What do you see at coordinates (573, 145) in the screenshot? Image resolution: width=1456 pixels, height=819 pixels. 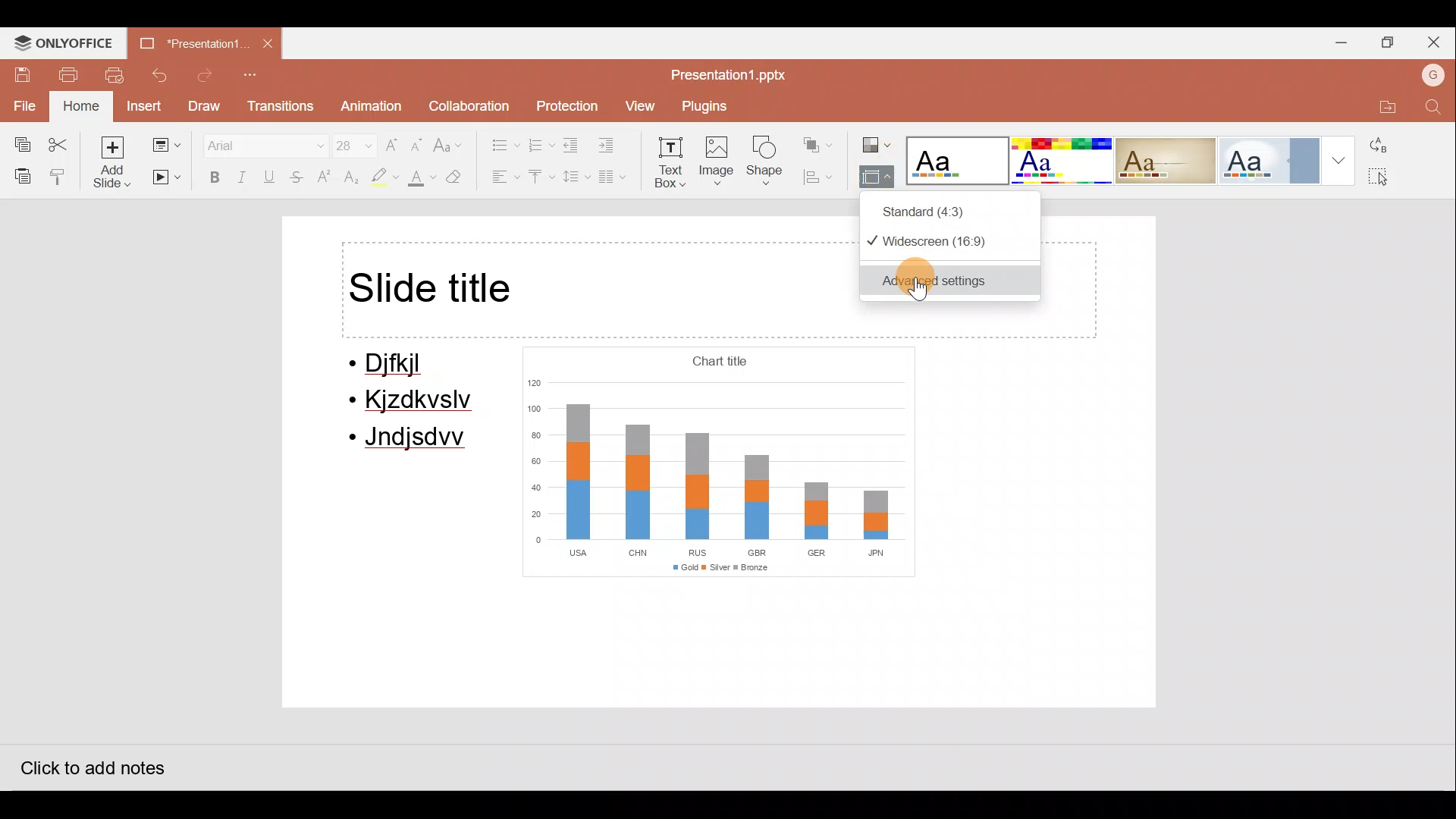 I see `Decrease indent` at bounding box center [573, 145].